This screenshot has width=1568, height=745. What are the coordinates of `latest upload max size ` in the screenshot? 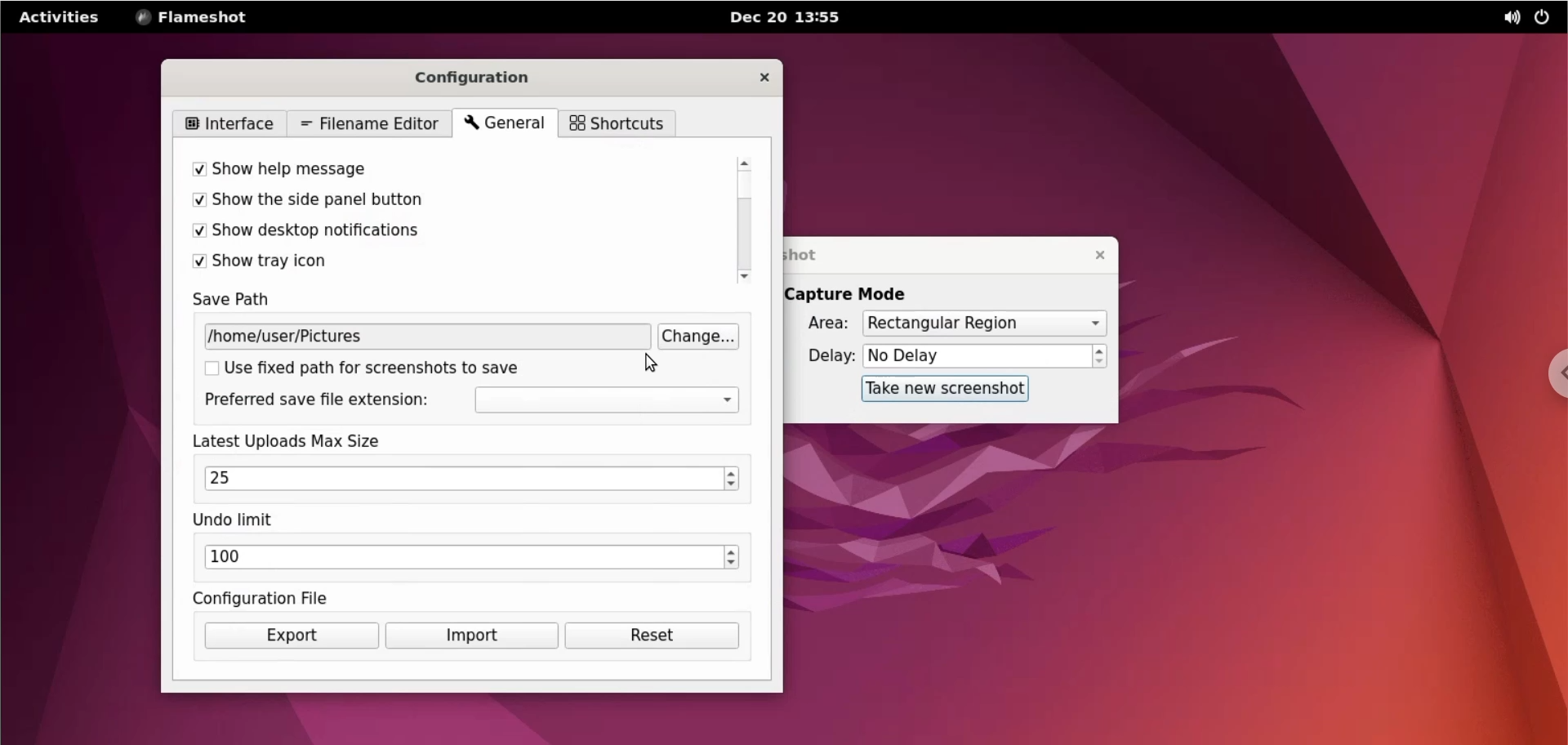 It's located at (312, 441).